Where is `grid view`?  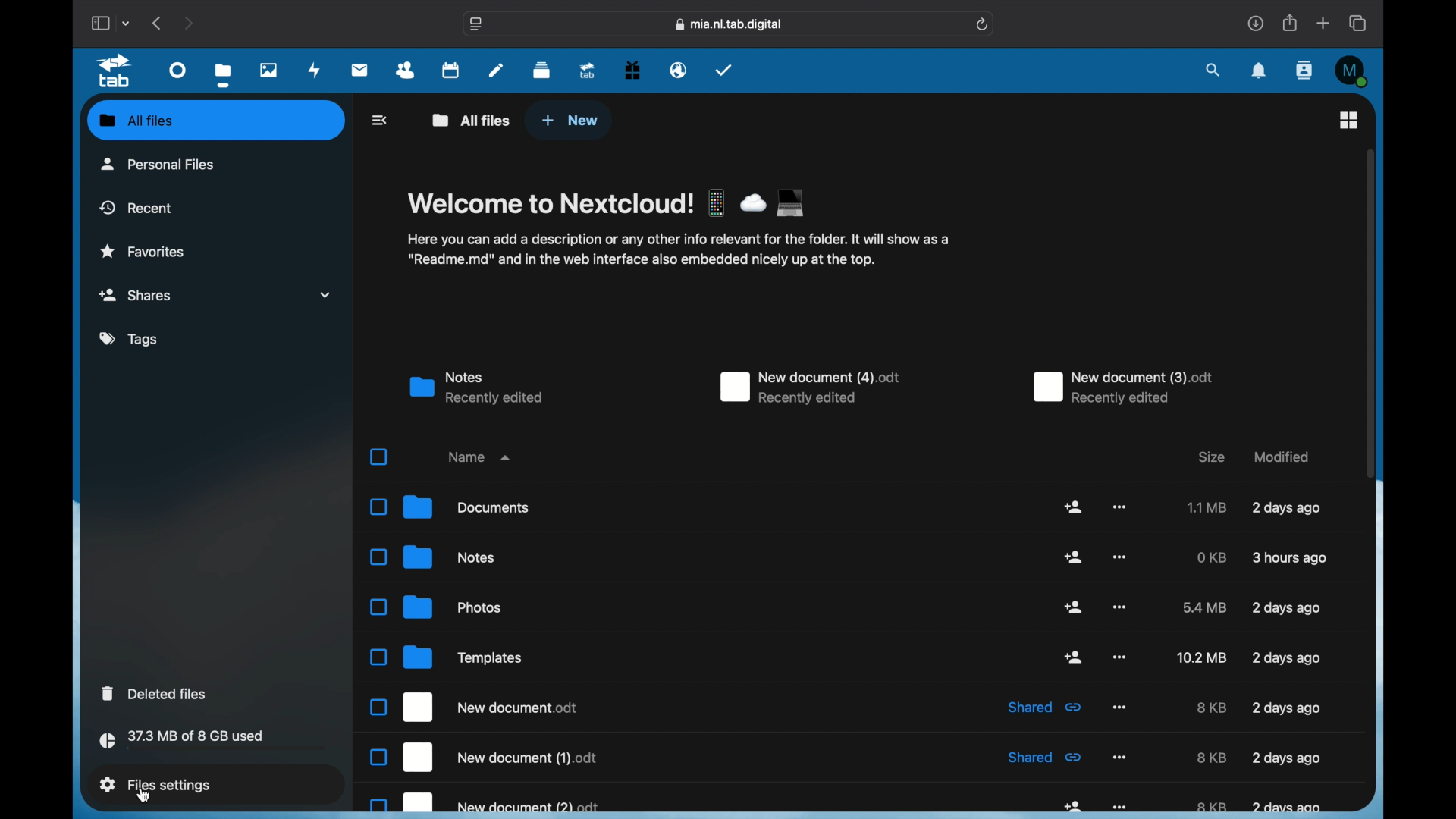 grid view is located at coordinates (1348, 119).